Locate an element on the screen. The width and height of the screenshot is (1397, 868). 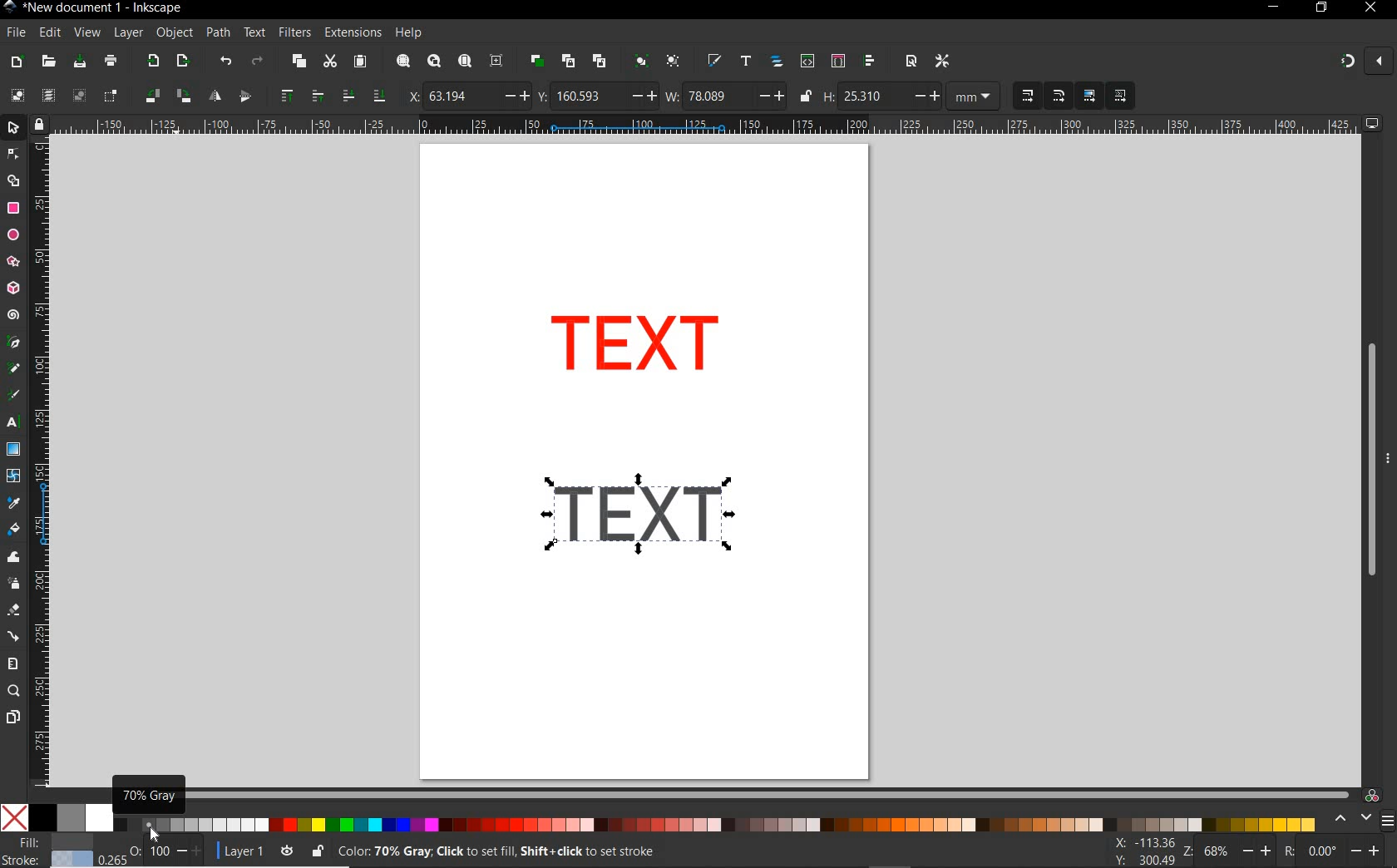
select all in all layers is located at coordinates (48, 96).